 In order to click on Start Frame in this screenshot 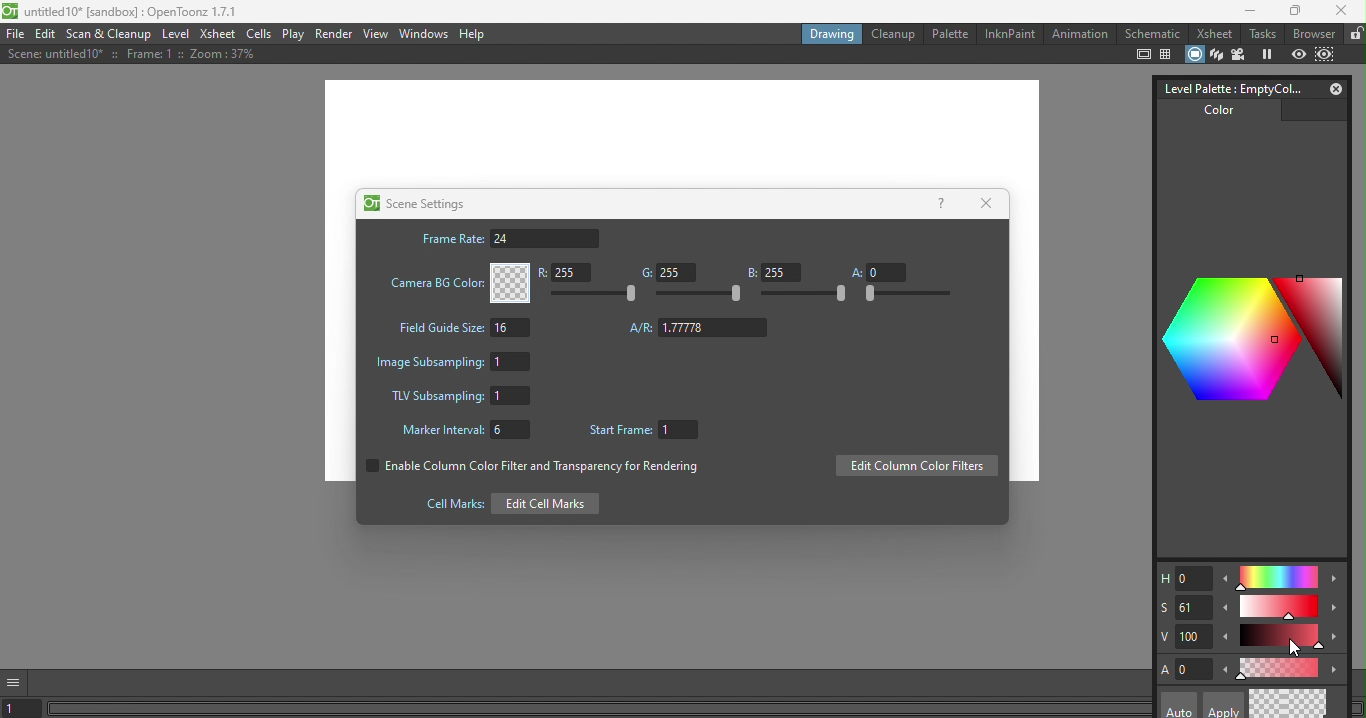, I will do `click(648, 431)`.